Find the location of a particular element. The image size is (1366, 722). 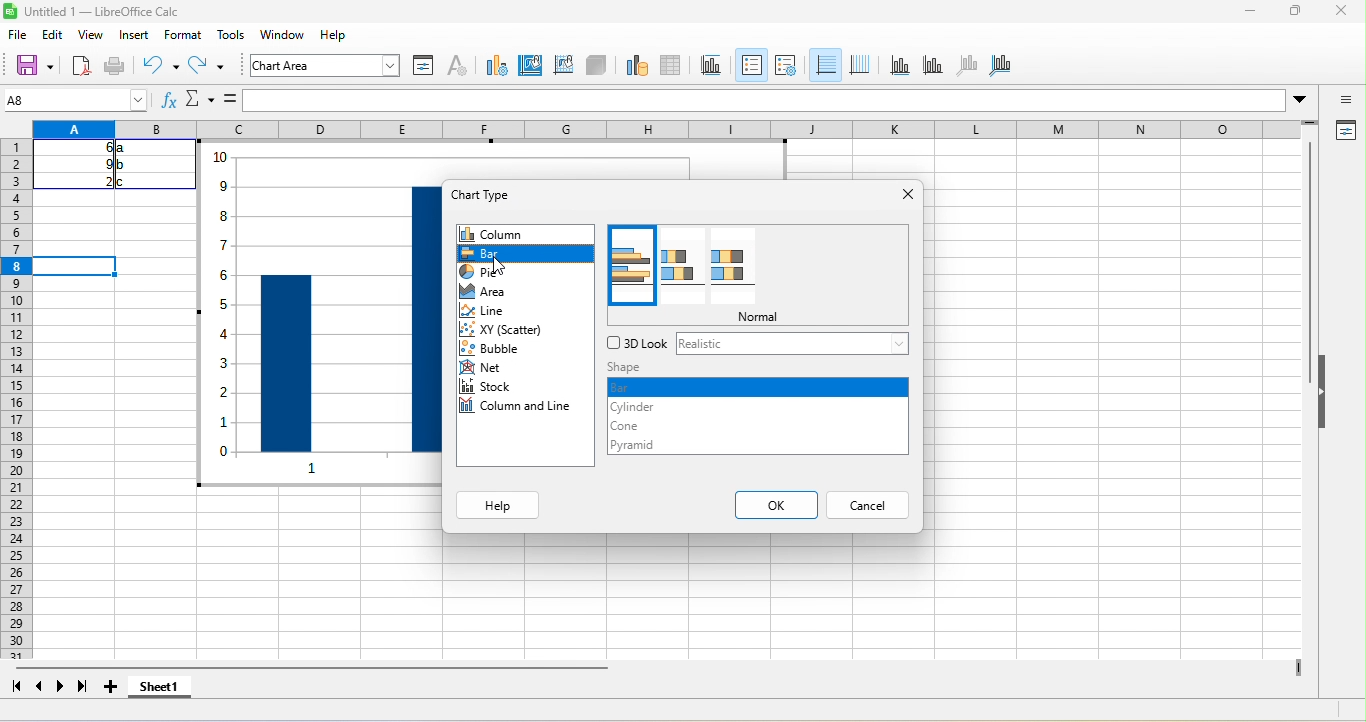

properties is located at coordinates (1347, 130).